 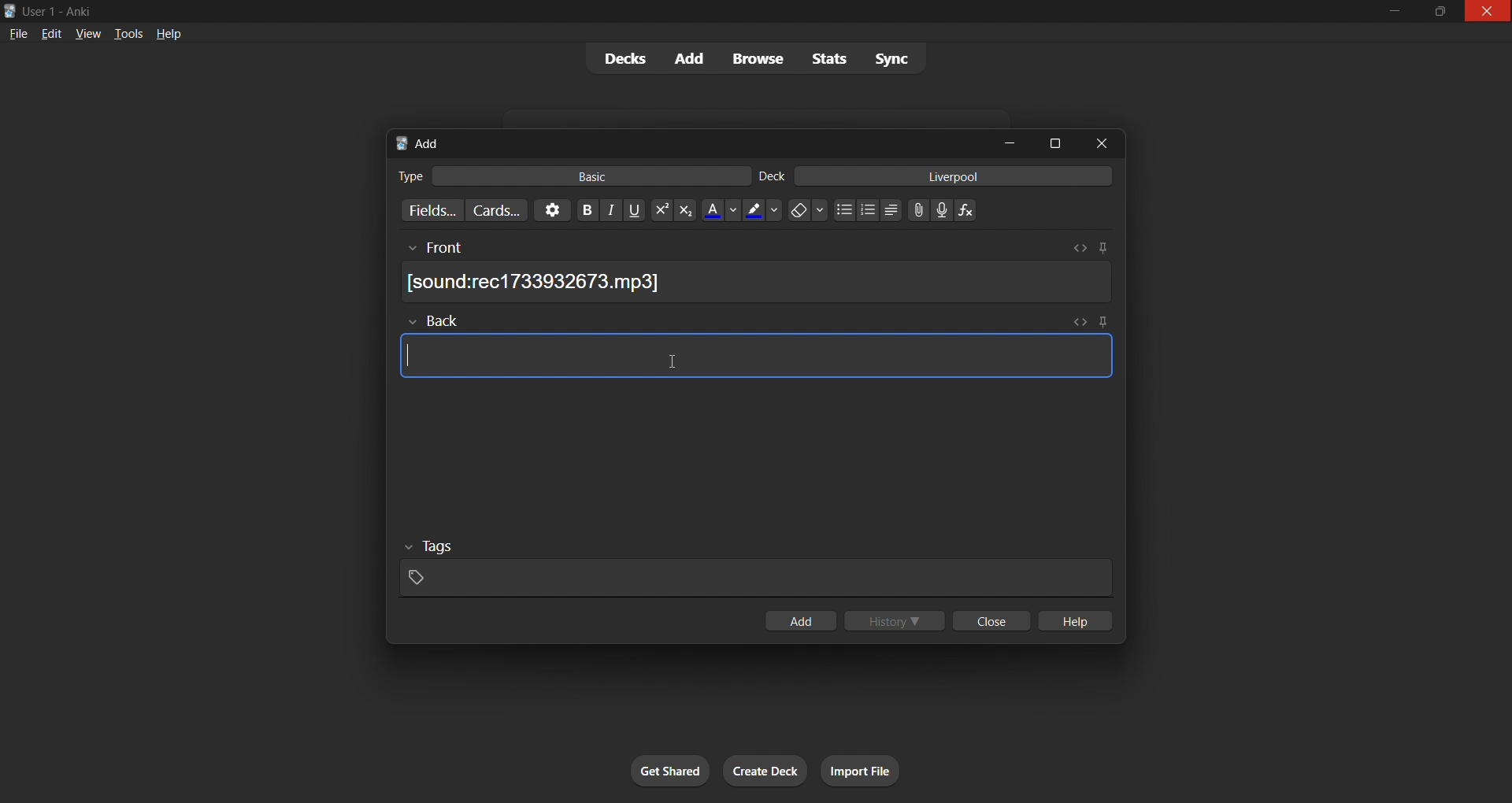 I want to click on stats, so click(x=830, y=60).